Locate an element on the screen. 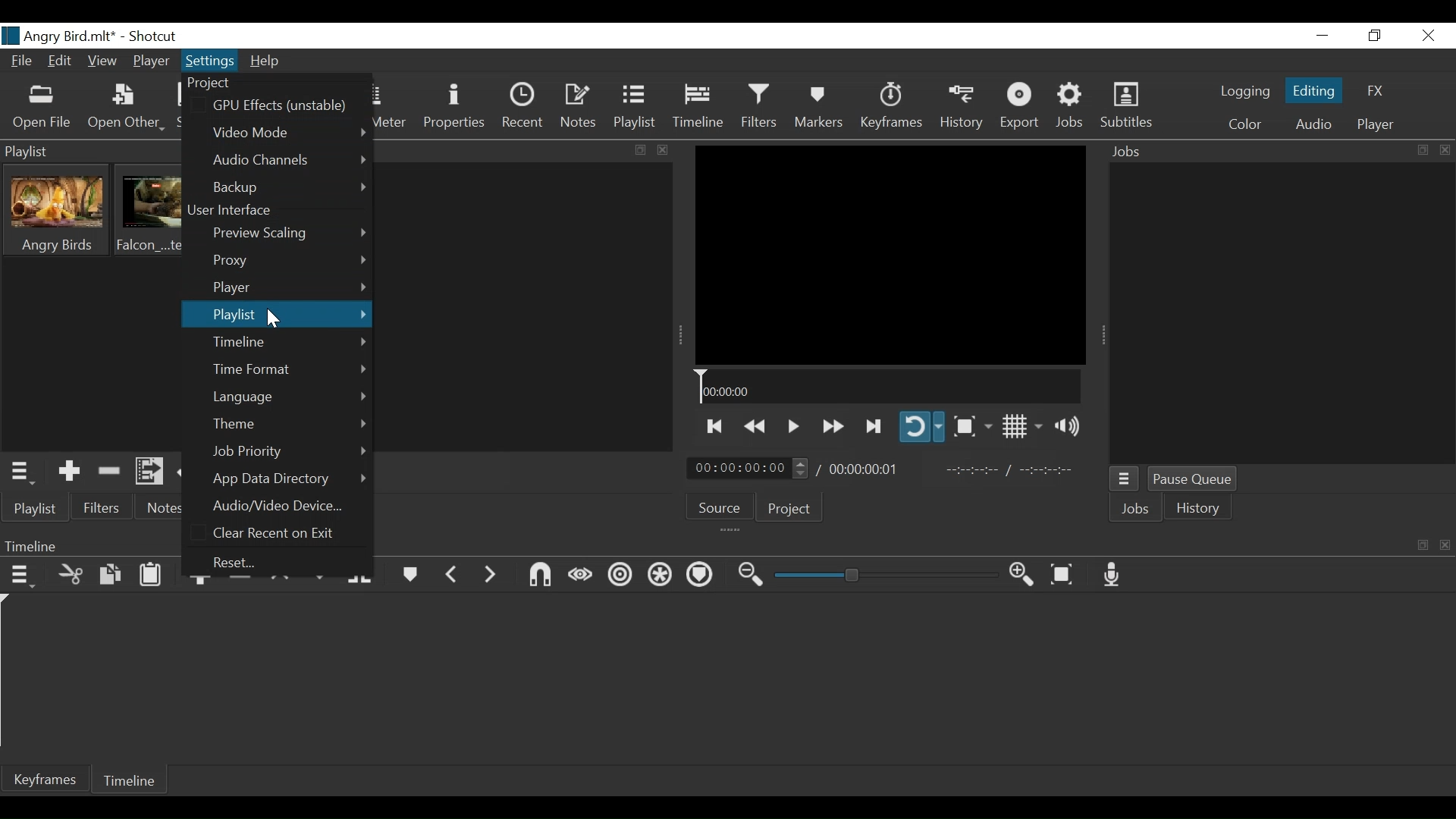 The width and height of the screenshot is (1456, 819). Skip to the next point is located at coordinates (875, 427).